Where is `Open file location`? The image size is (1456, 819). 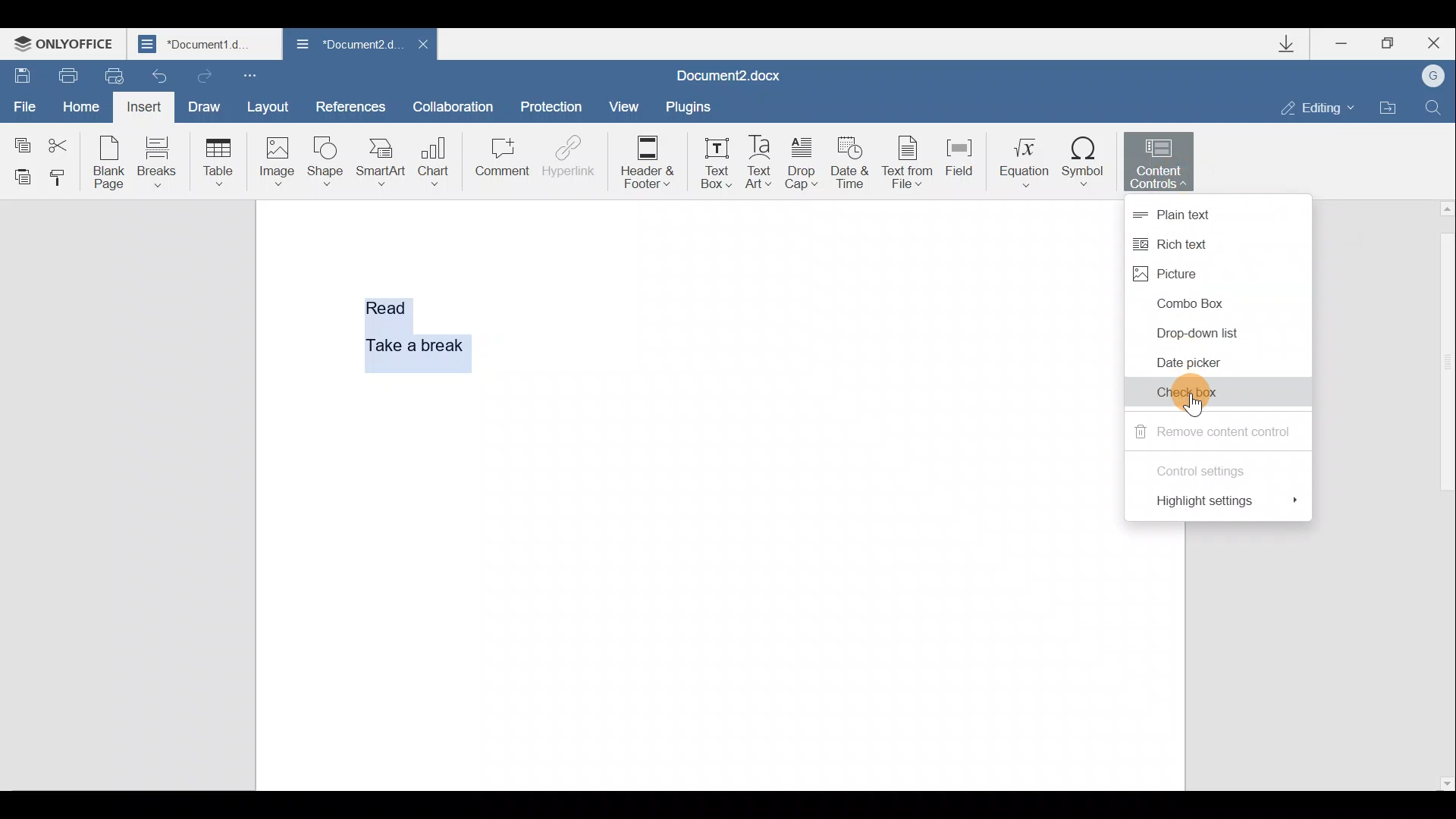 Open file location is located at coordinates (1389, 108).